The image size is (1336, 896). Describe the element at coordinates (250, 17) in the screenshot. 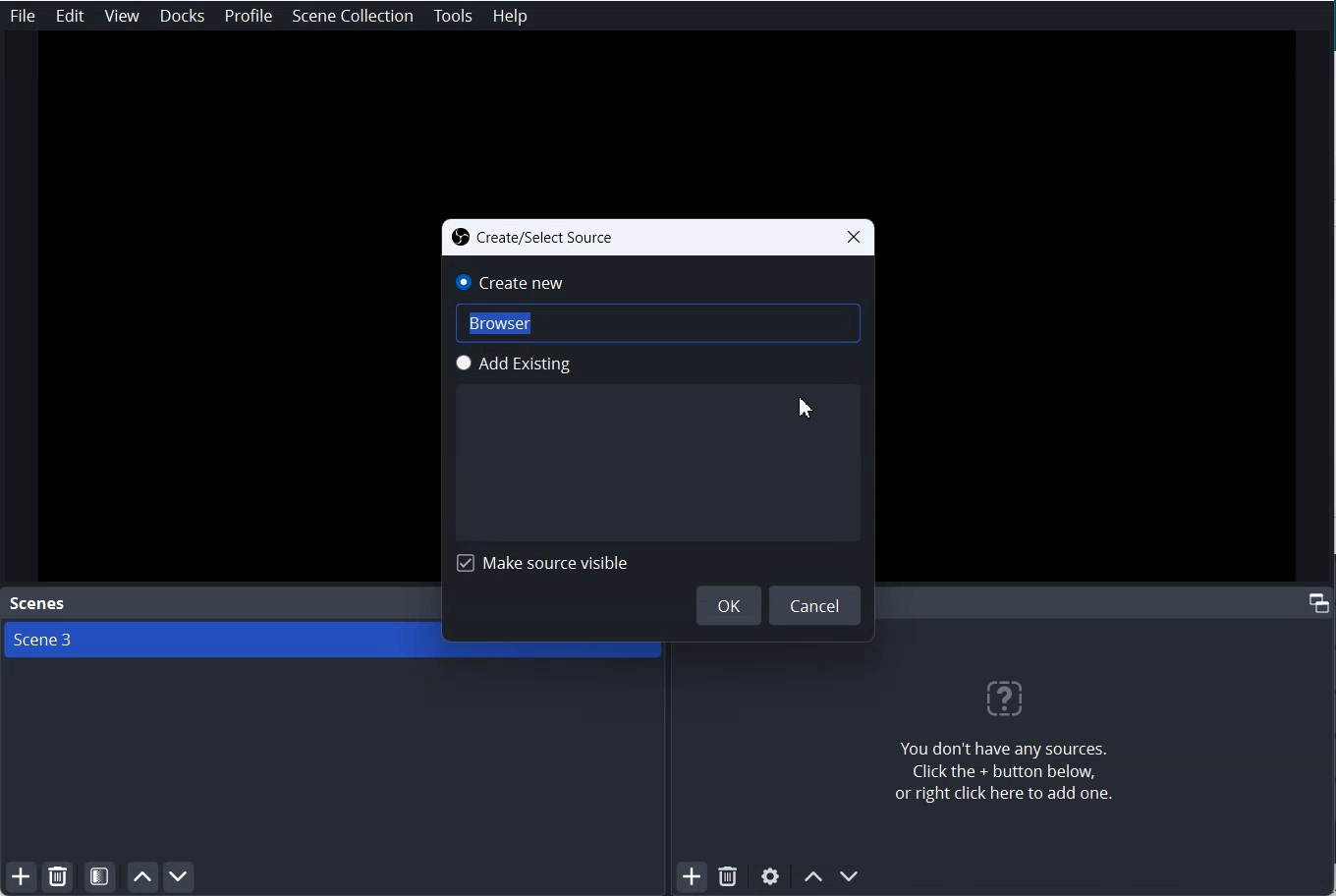

I see `Profile` at that location.